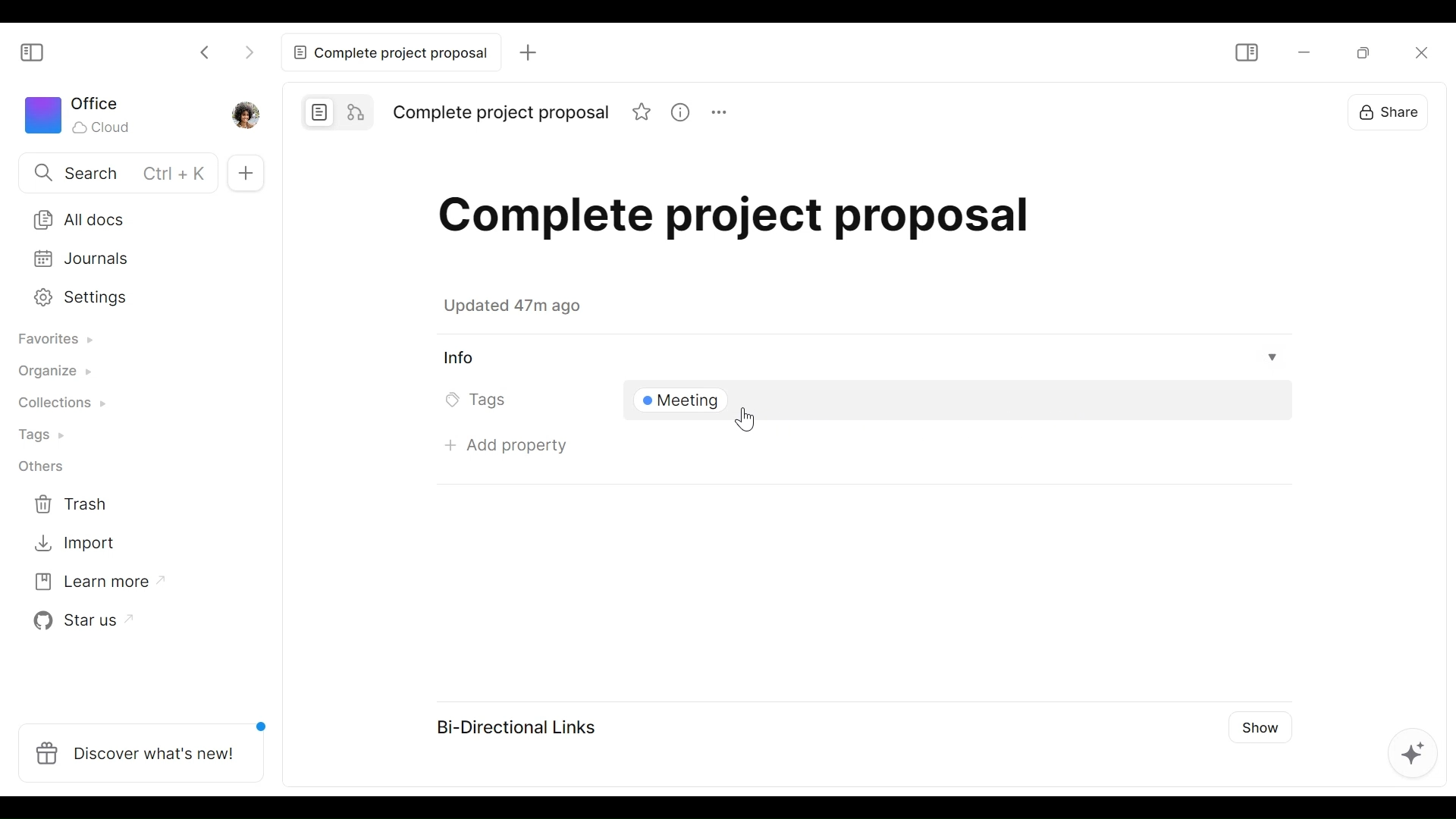 Image resolution: width=1456 pixels, height=819 pixels. What do you see at coordinates (64, 405) in the screenshot?
I see `Collections` at bounding box center [64, 405].